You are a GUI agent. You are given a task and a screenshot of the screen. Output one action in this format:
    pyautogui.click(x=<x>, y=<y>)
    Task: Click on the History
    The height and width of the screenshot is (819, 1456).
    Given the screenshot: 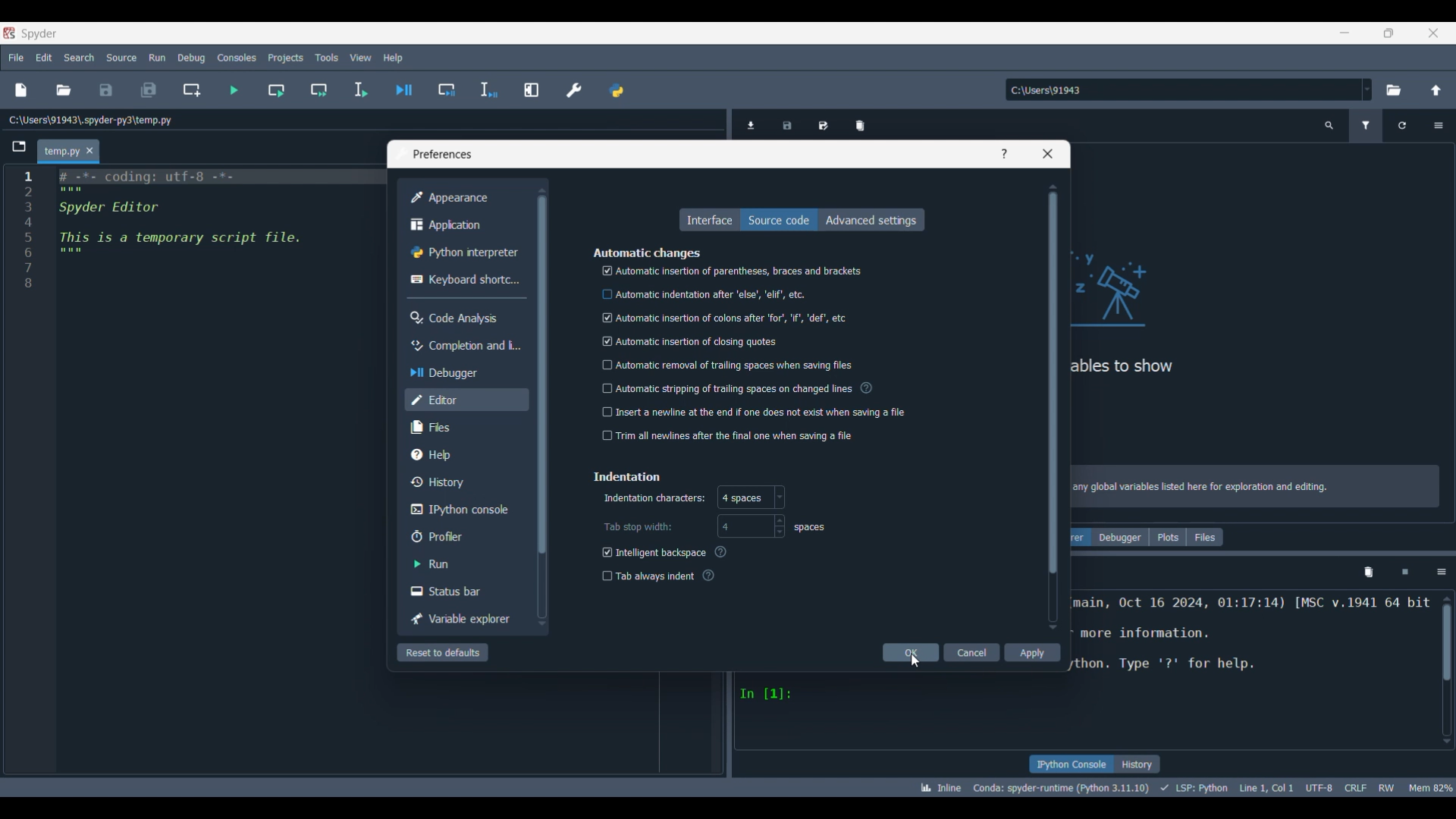 What is the action you would take?
    pyautogui.click(x=466, y=482)
    